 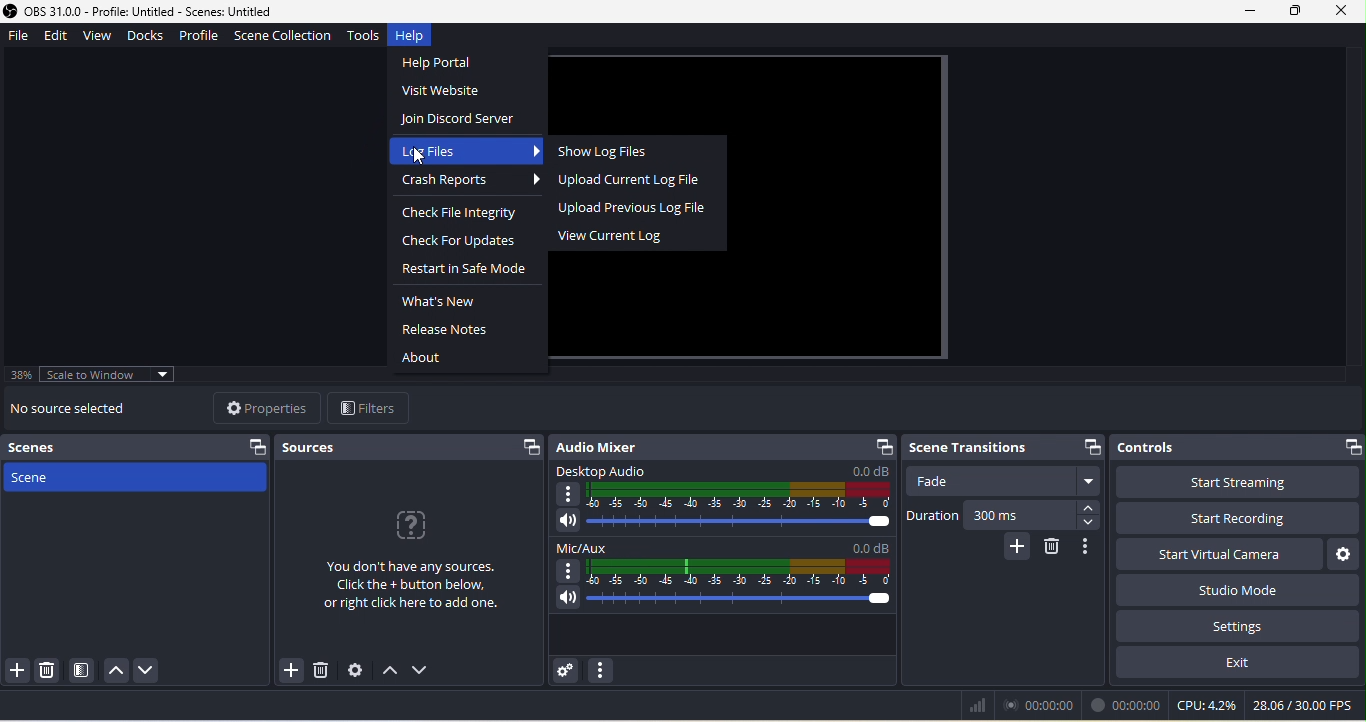 What do you see at coordinates (1345, 555) in the screenshot?
I see `configure virtual camera` at bounding box center [1345, 555].